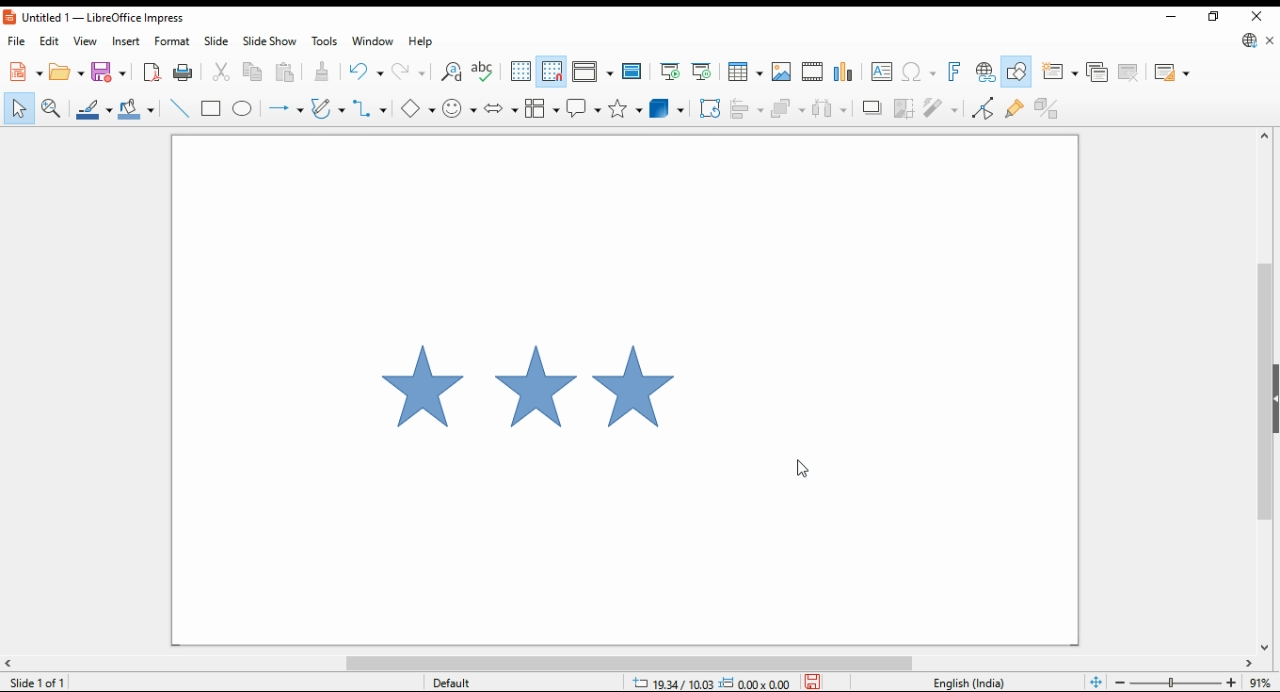  Describe the element at coordinates (459, 108) in the screenshot. I see `symbol shapes` at that location.